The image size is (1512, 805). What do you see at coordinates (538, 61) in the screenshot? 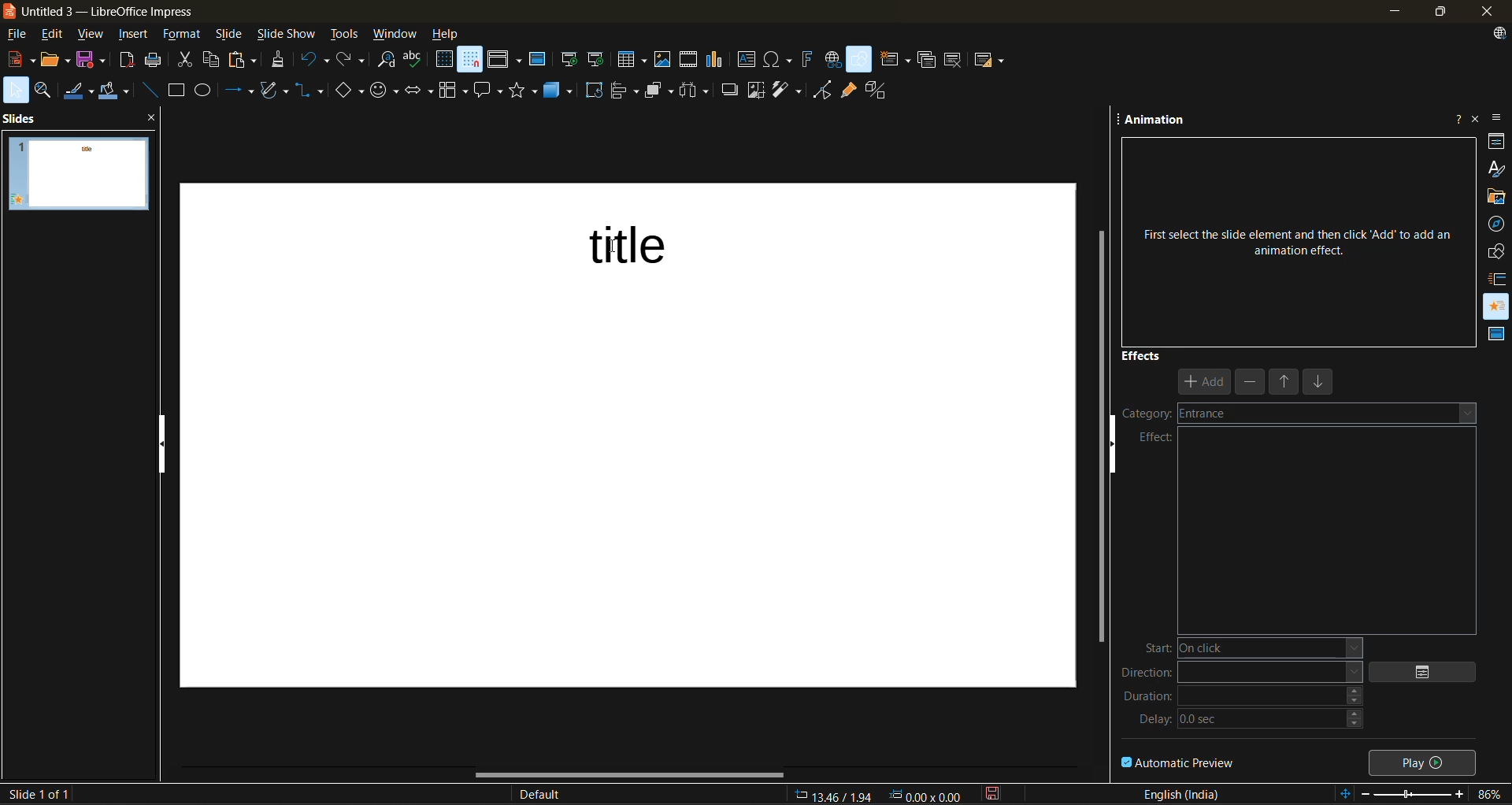
I see `master slide` at bounding box center [538, 61].